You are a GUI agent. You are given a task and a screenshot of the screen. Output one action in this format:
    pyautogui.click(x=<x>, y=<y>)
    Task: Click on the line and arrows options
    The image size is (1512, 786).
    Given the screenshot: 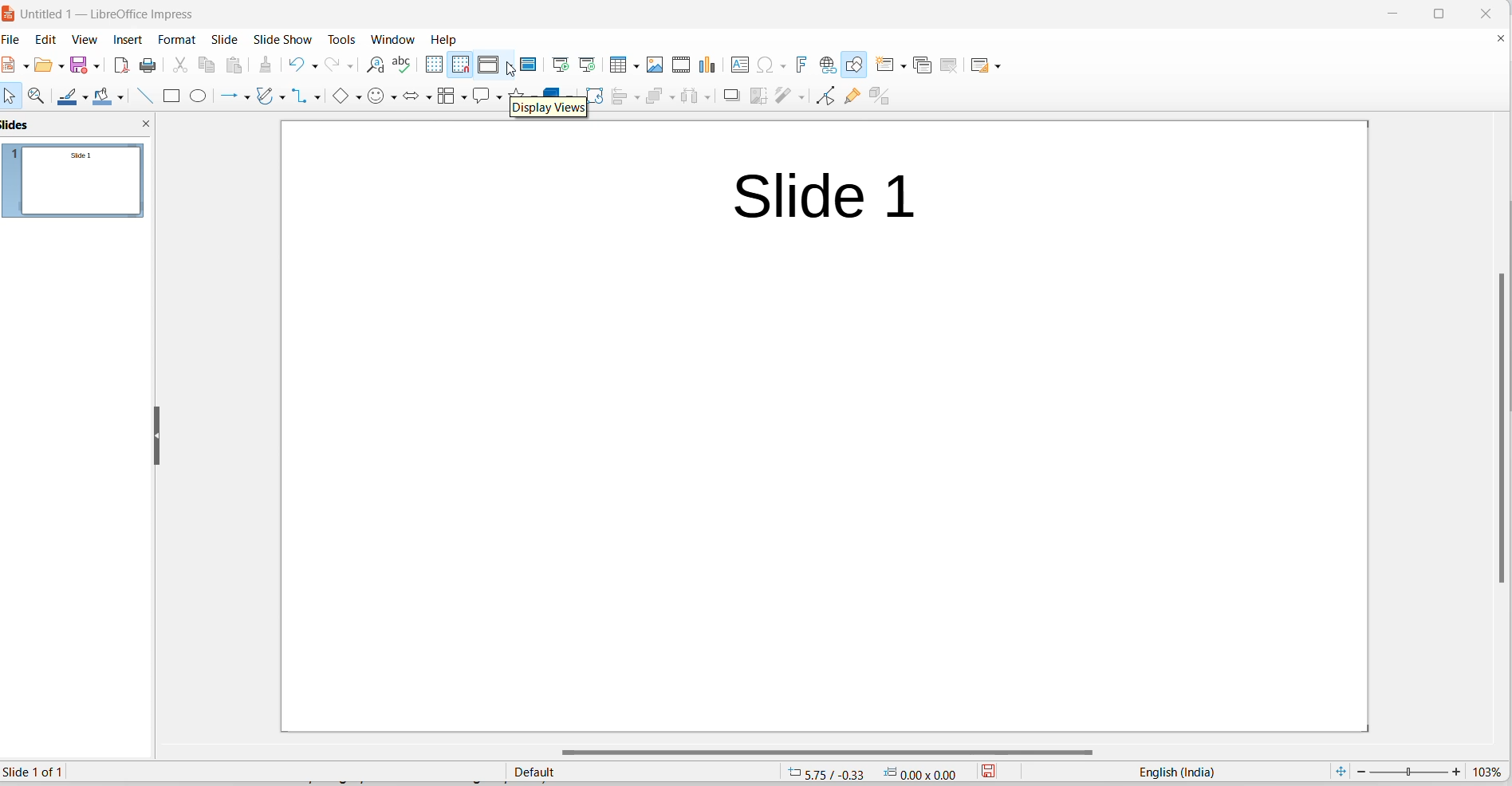 What is the action you would take?
    pyautogui.click(x=249, y=98)
    